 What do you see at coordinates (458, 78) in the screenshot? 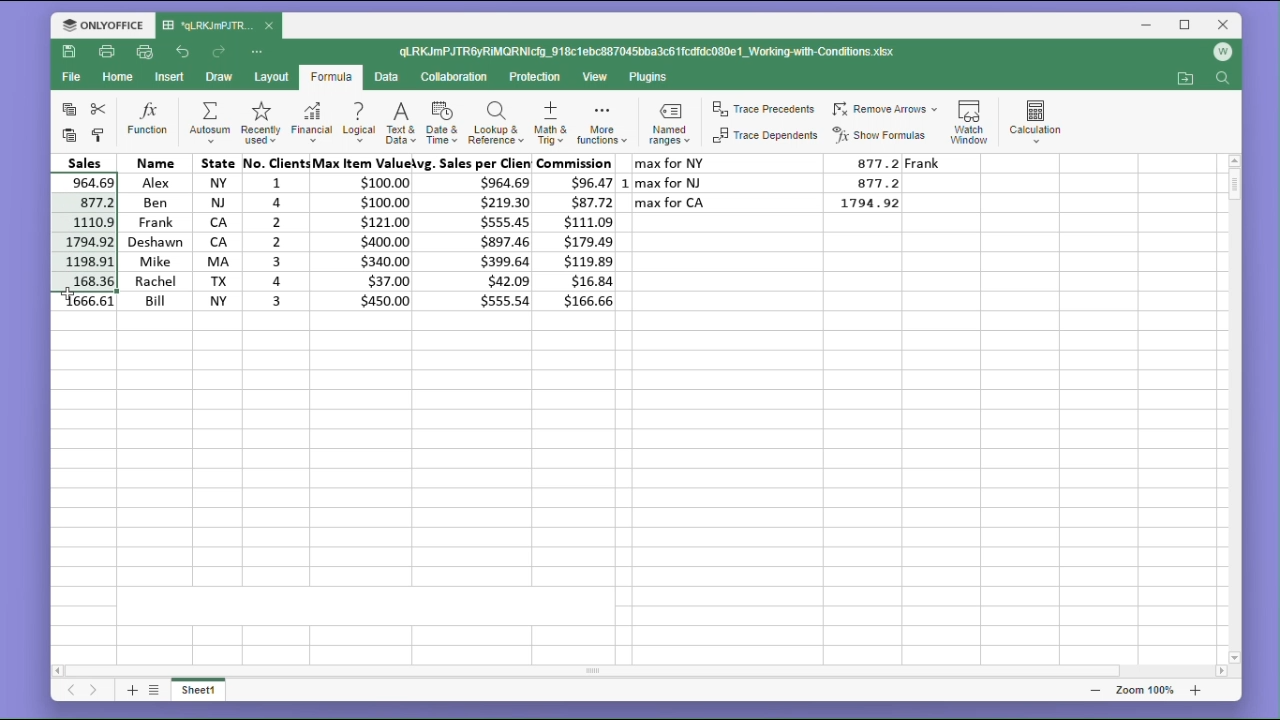
I see `collaboration` at bounding box center [458, 78].